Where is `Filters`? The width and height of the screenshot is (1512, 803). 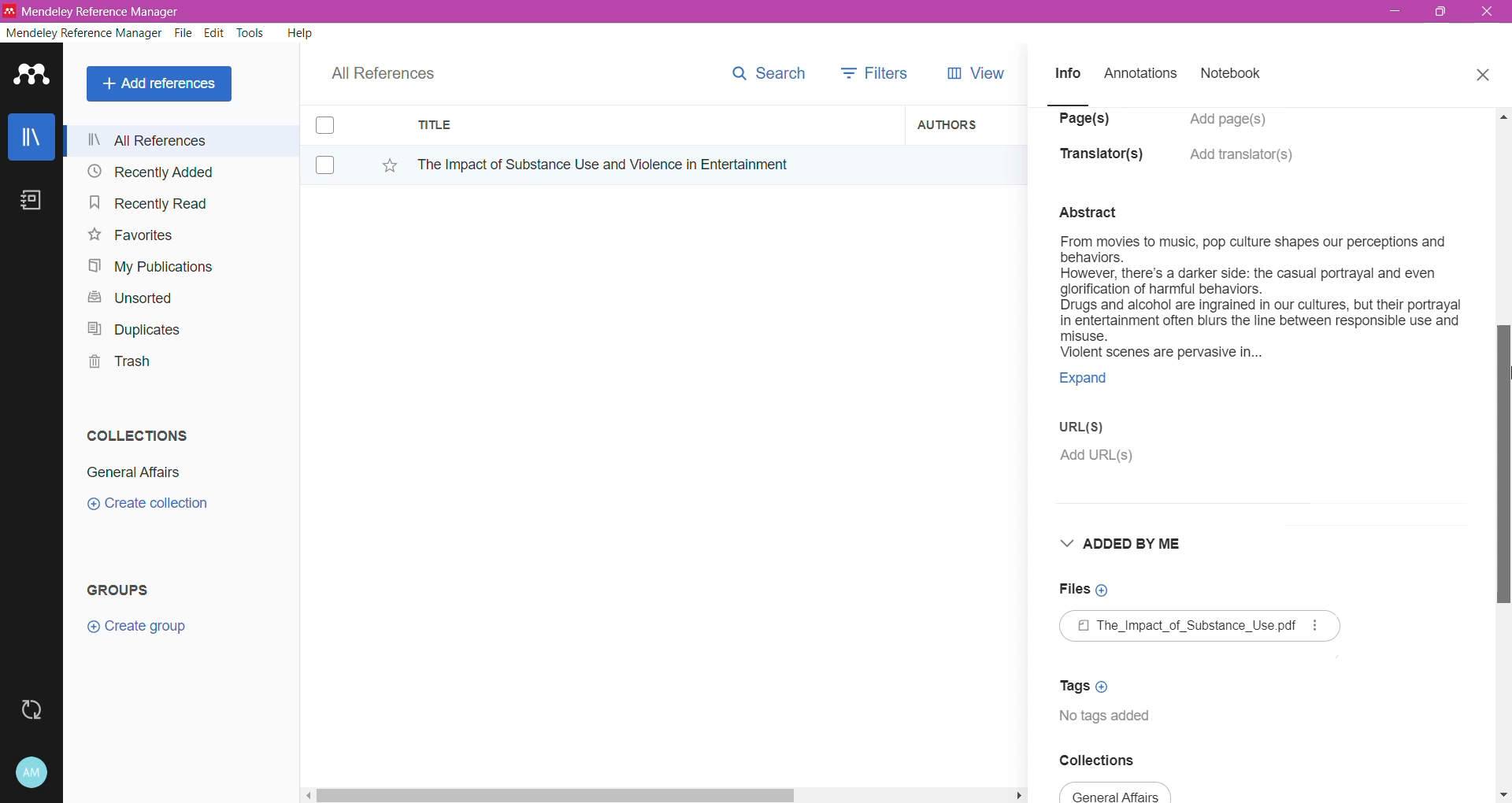
Filters is located at coordinates (879, 72).